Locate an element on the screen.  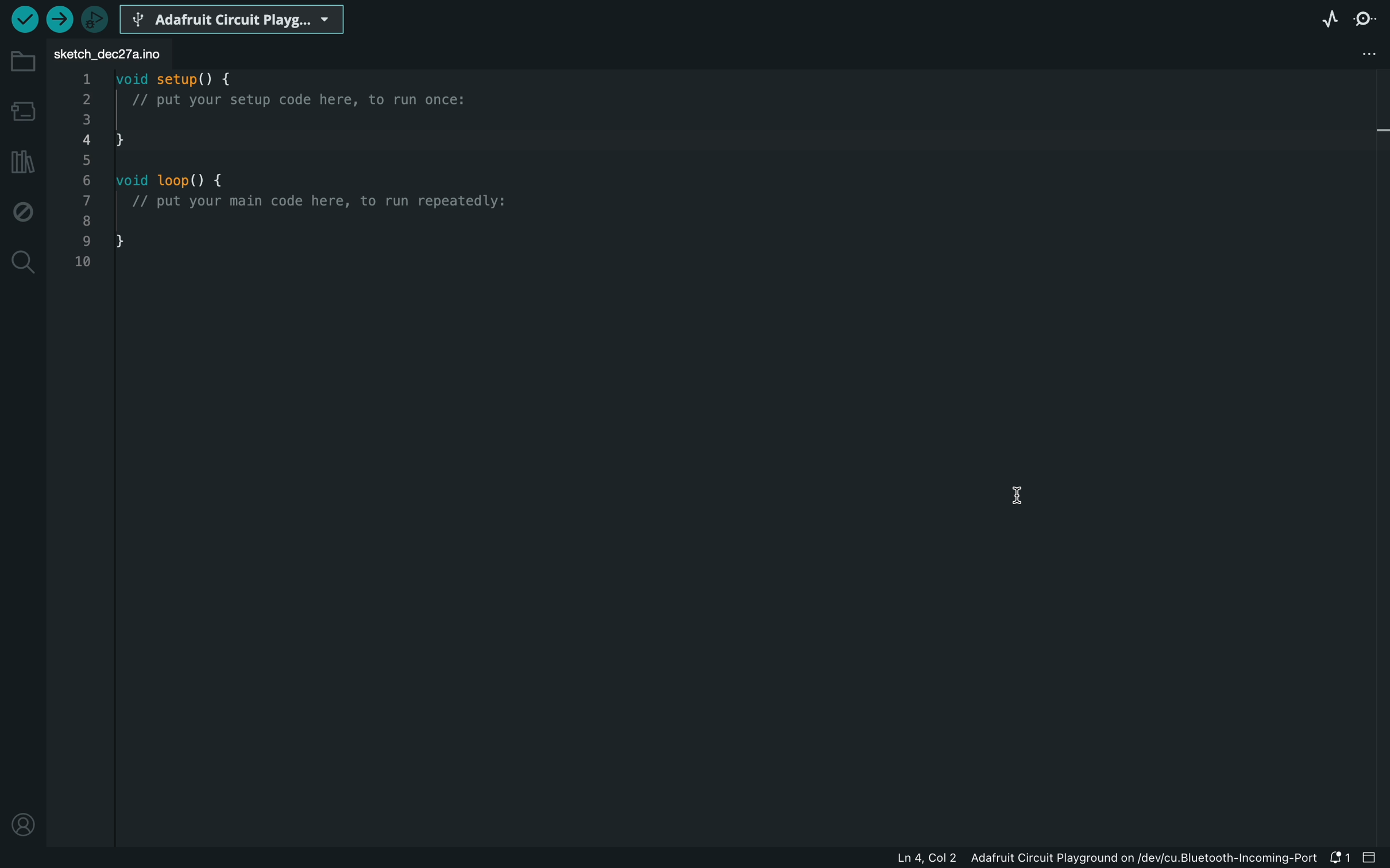
folder is located at coordinates (23, 62).